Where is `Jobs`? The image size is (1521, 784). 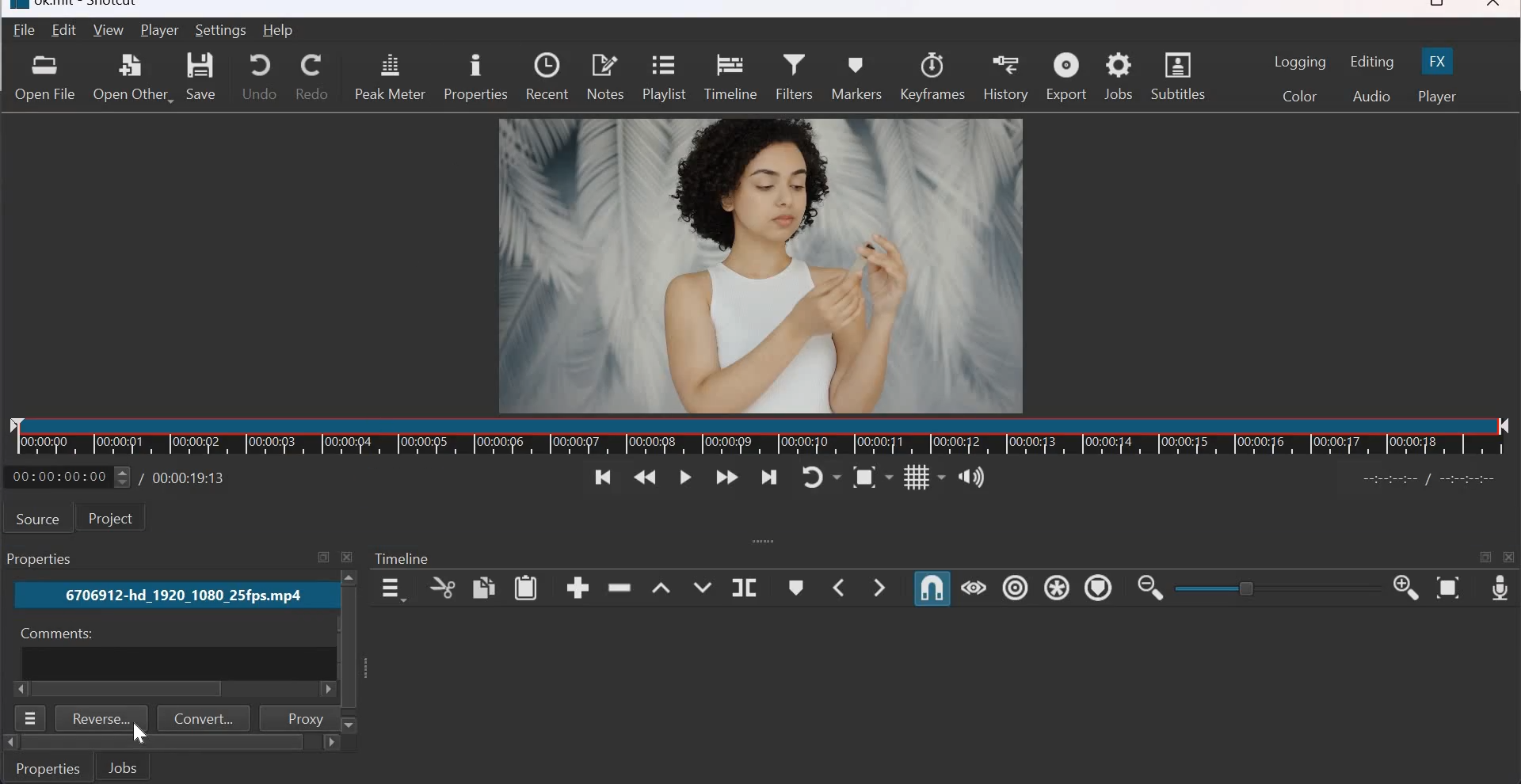 Jobs is located at coordinates (1119, 77).